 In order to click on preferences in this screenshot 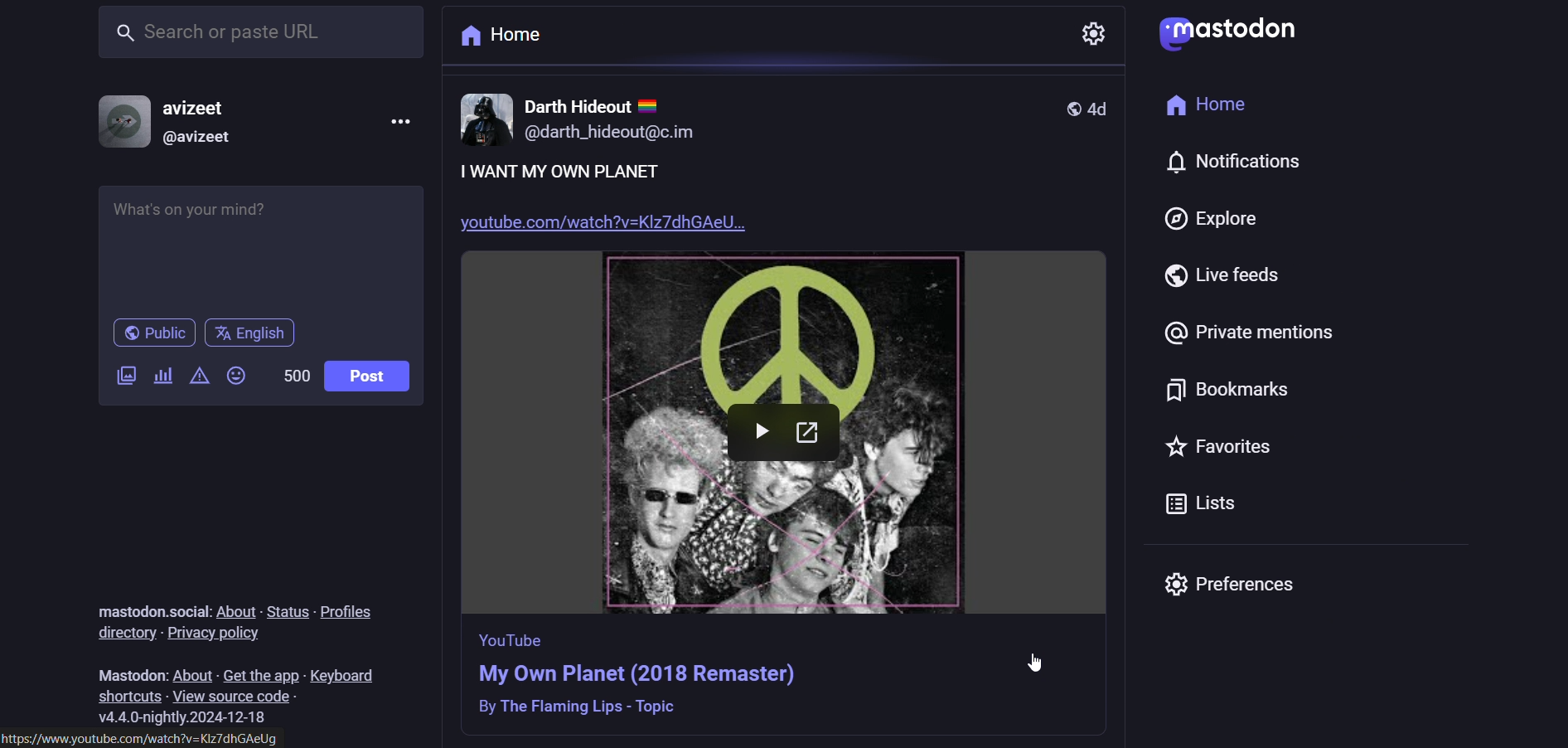, I will do `click(1236, 585)`.